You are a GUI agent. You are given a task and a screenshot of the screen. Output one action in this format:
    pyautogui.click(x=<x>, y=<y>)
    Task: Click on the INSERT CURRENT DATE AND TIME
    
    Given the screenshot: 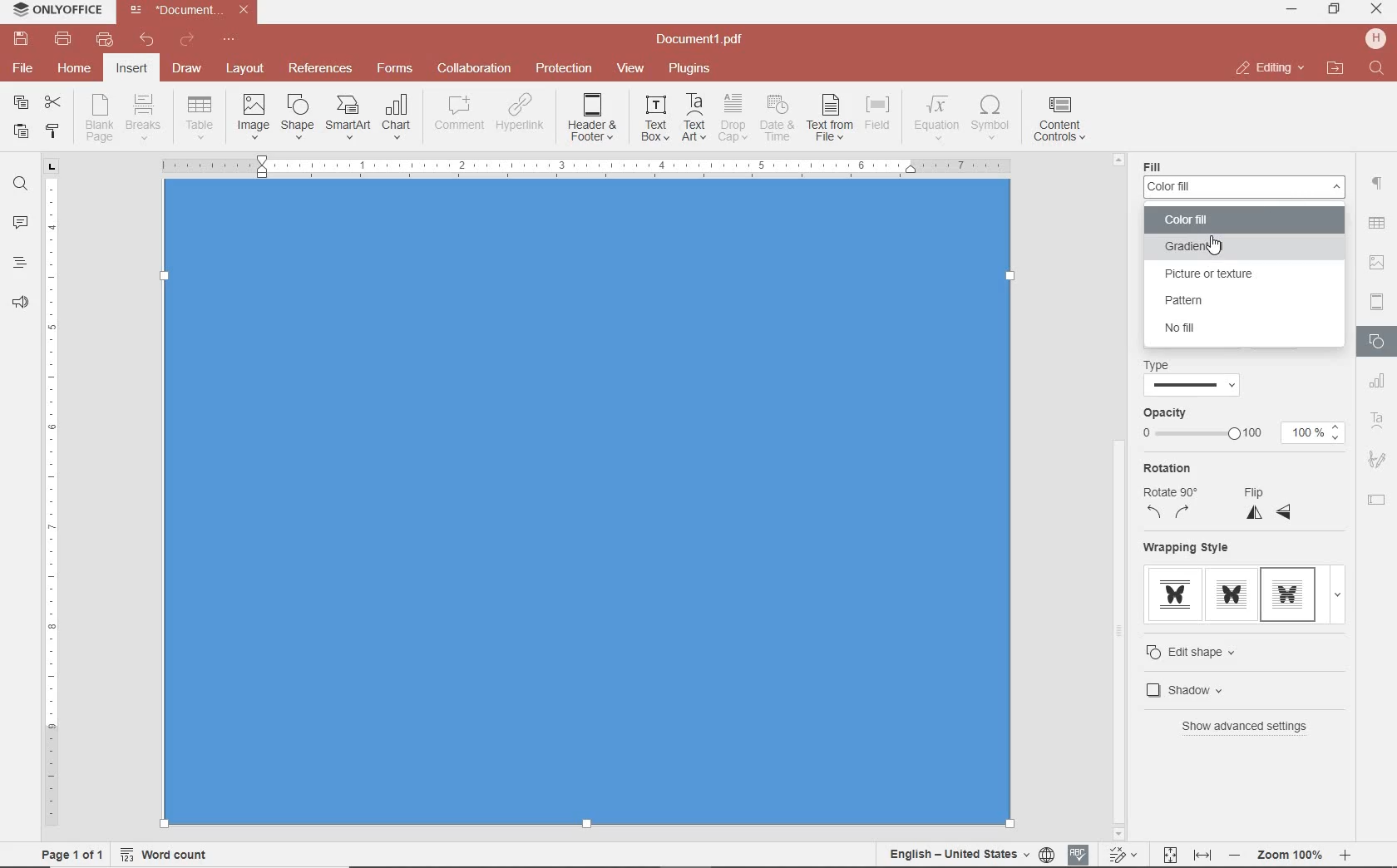 What is the action you would take?
    pyautogui.click(x=775, y=119)
    